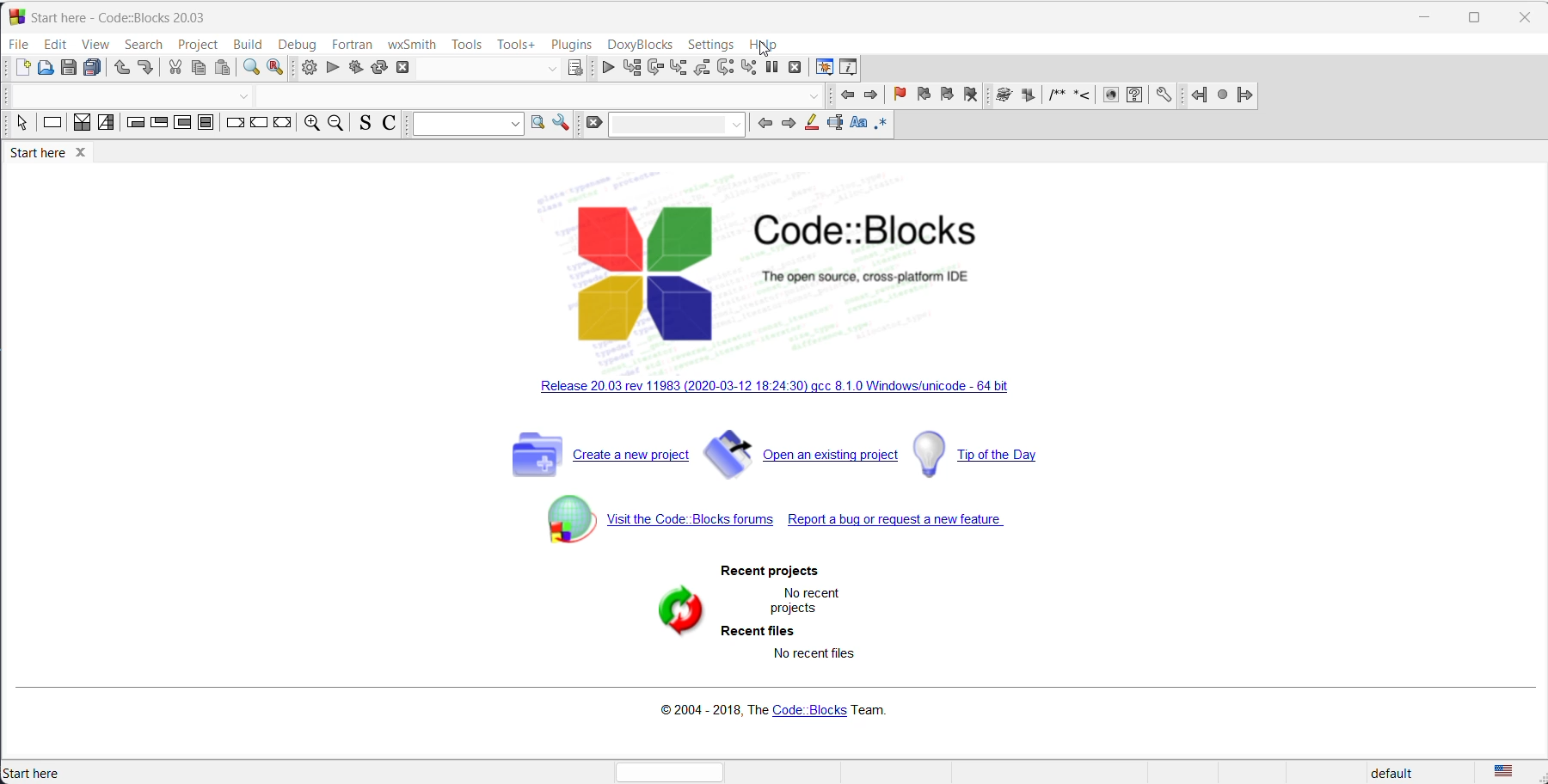 This screenshot has height=784, width=1548. What do you see at coordinates (1059, 97) in the screenshot?
I see `insert comment block` at bounding box center [1059, 97].